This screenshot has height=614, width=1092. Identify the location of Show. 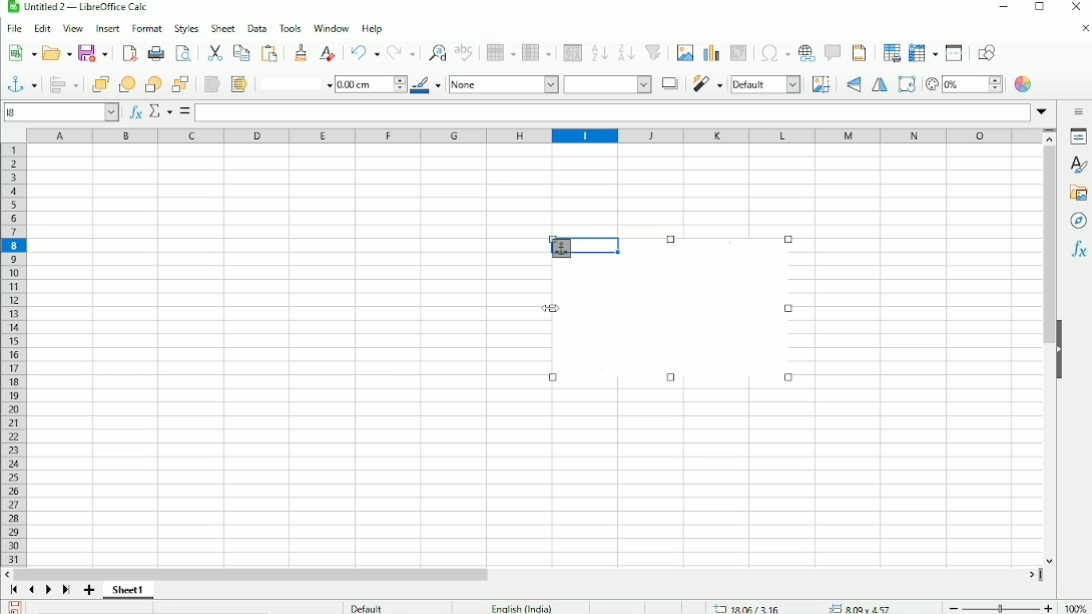
(1059, 348).